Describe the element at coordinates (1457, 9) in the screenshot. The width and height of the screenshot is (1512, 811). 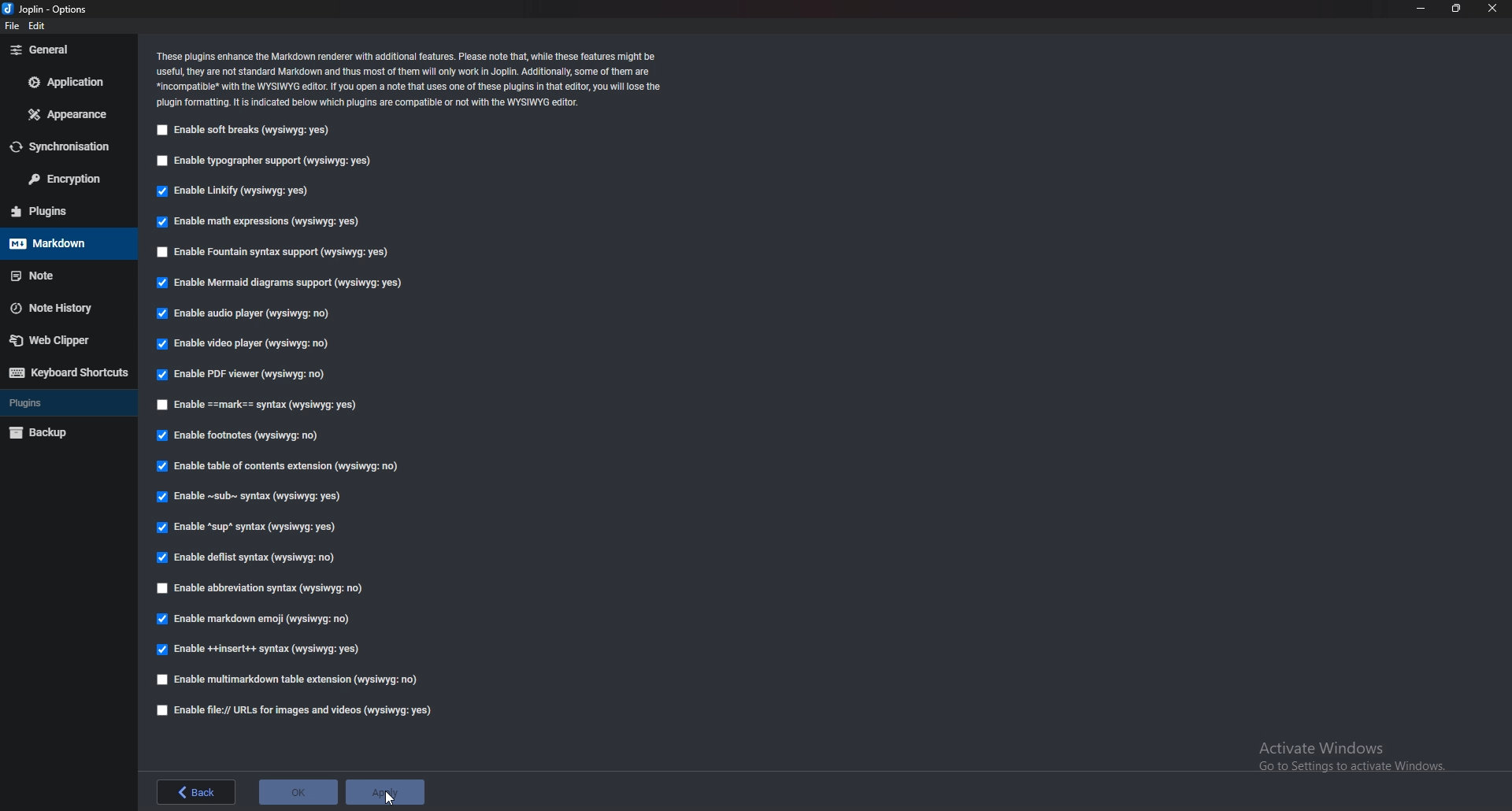
I see `Resize` at that location.